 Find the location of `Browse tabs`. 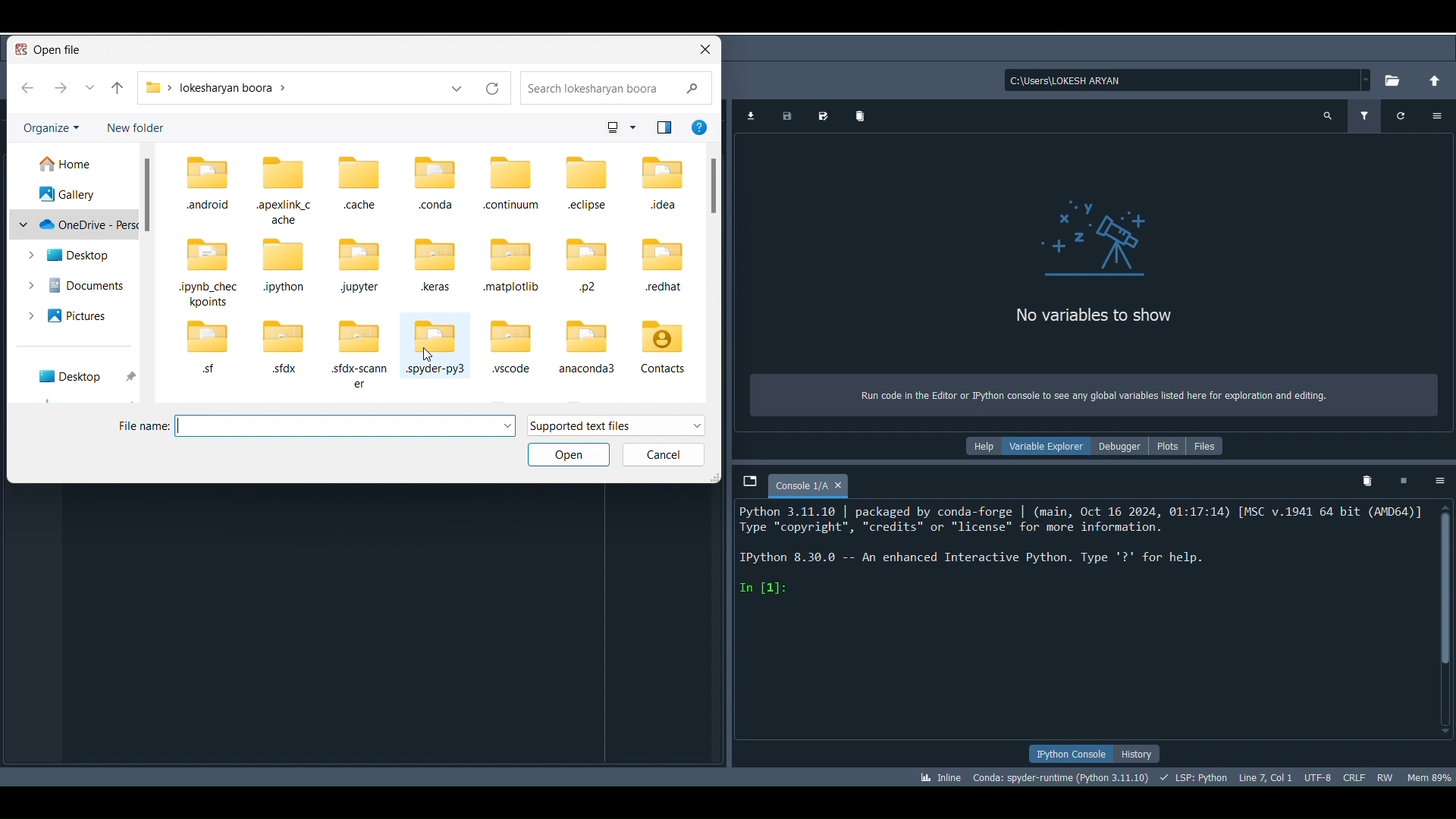

Browse tabs is located at coordinates (746, 477).